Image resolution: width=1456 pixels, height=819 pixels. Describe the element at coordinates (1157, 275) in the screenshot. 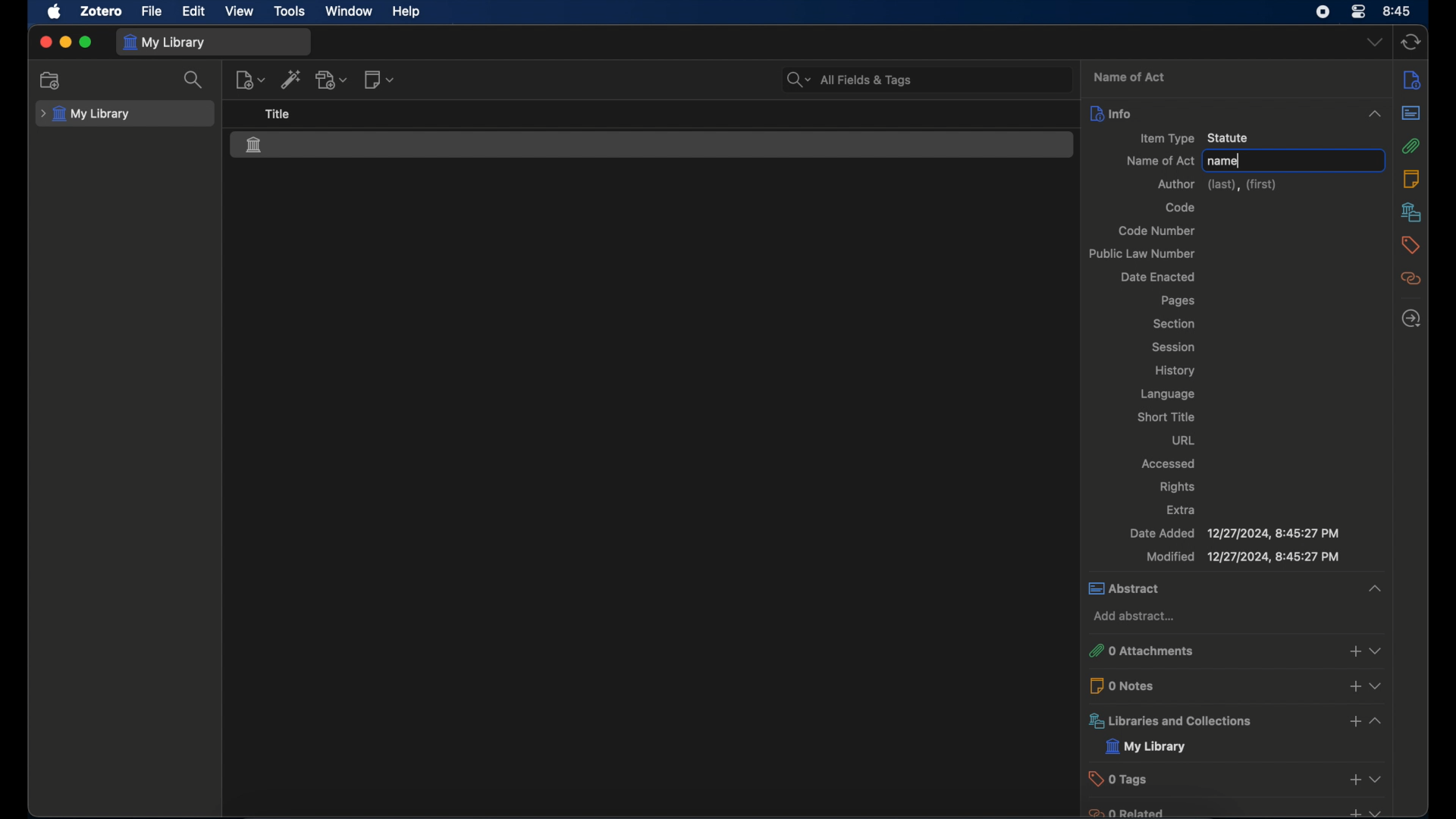

I see `date enacted` at that location.